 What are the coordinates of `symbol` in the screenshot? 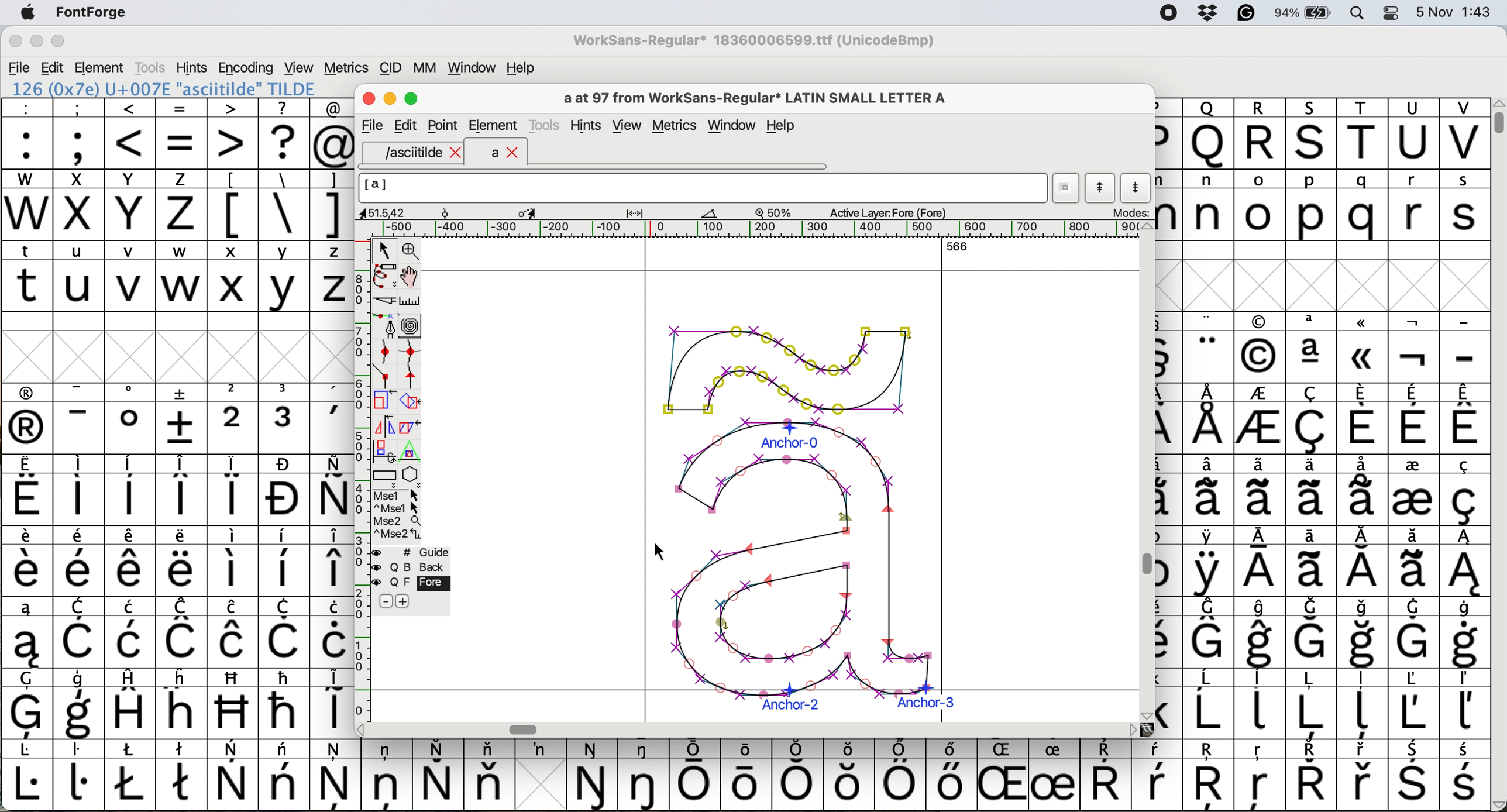 It's located at (181, 562).